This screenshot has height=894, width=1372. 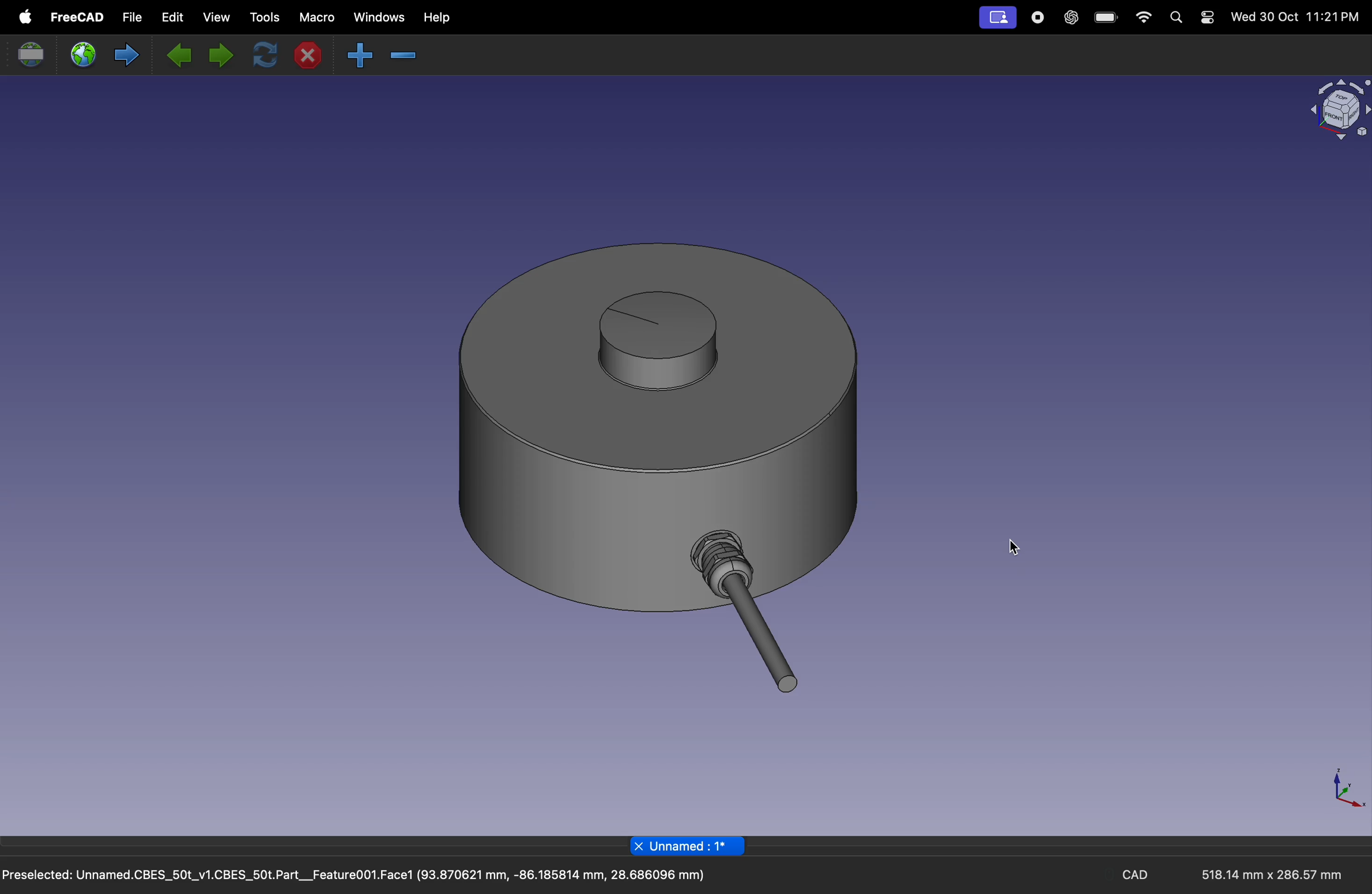 I want to click on previous page, so click(x=182, y=55).